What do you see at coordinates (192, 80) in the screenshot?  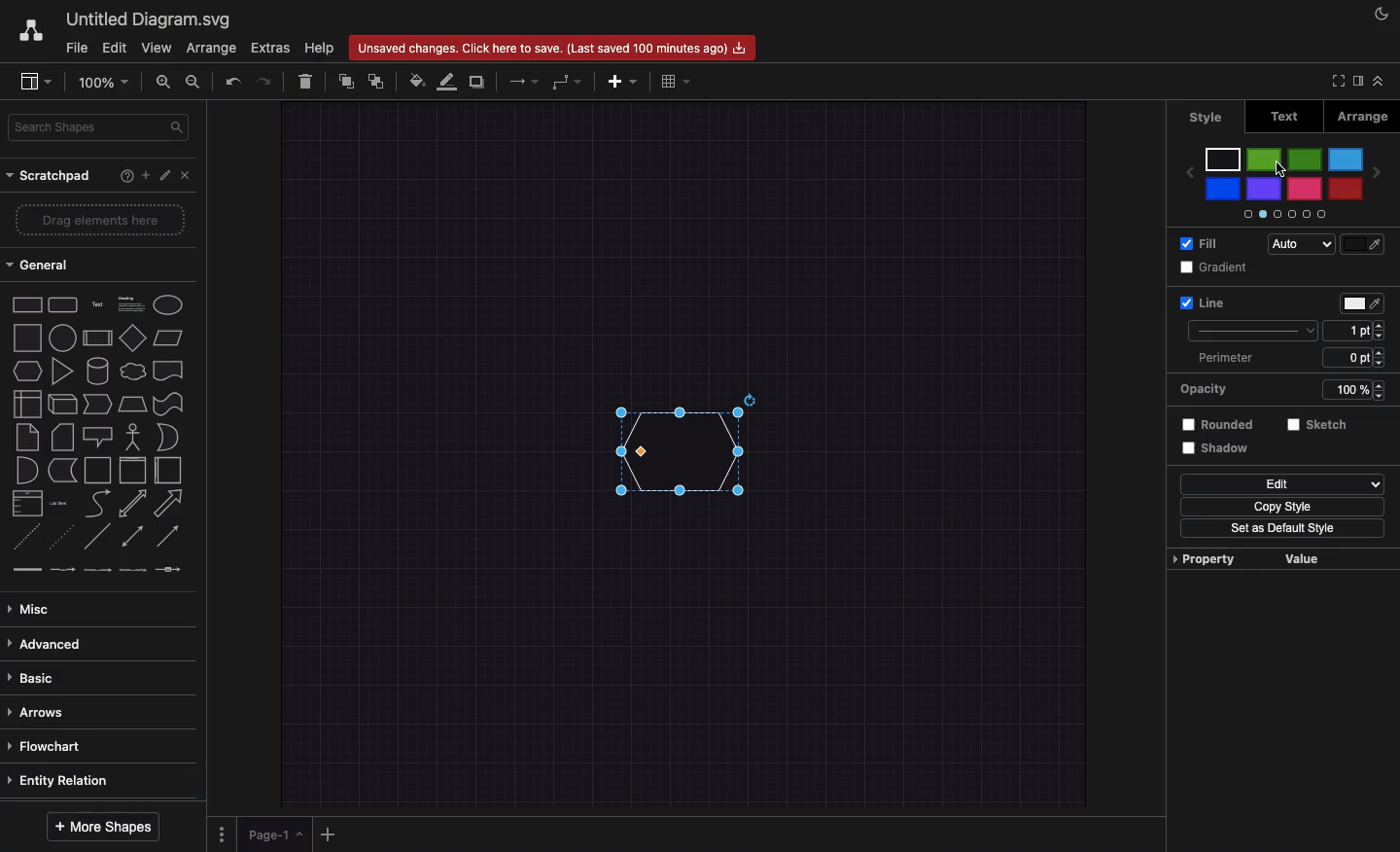 I see `Zoom out` at bounding box center [192, 80].